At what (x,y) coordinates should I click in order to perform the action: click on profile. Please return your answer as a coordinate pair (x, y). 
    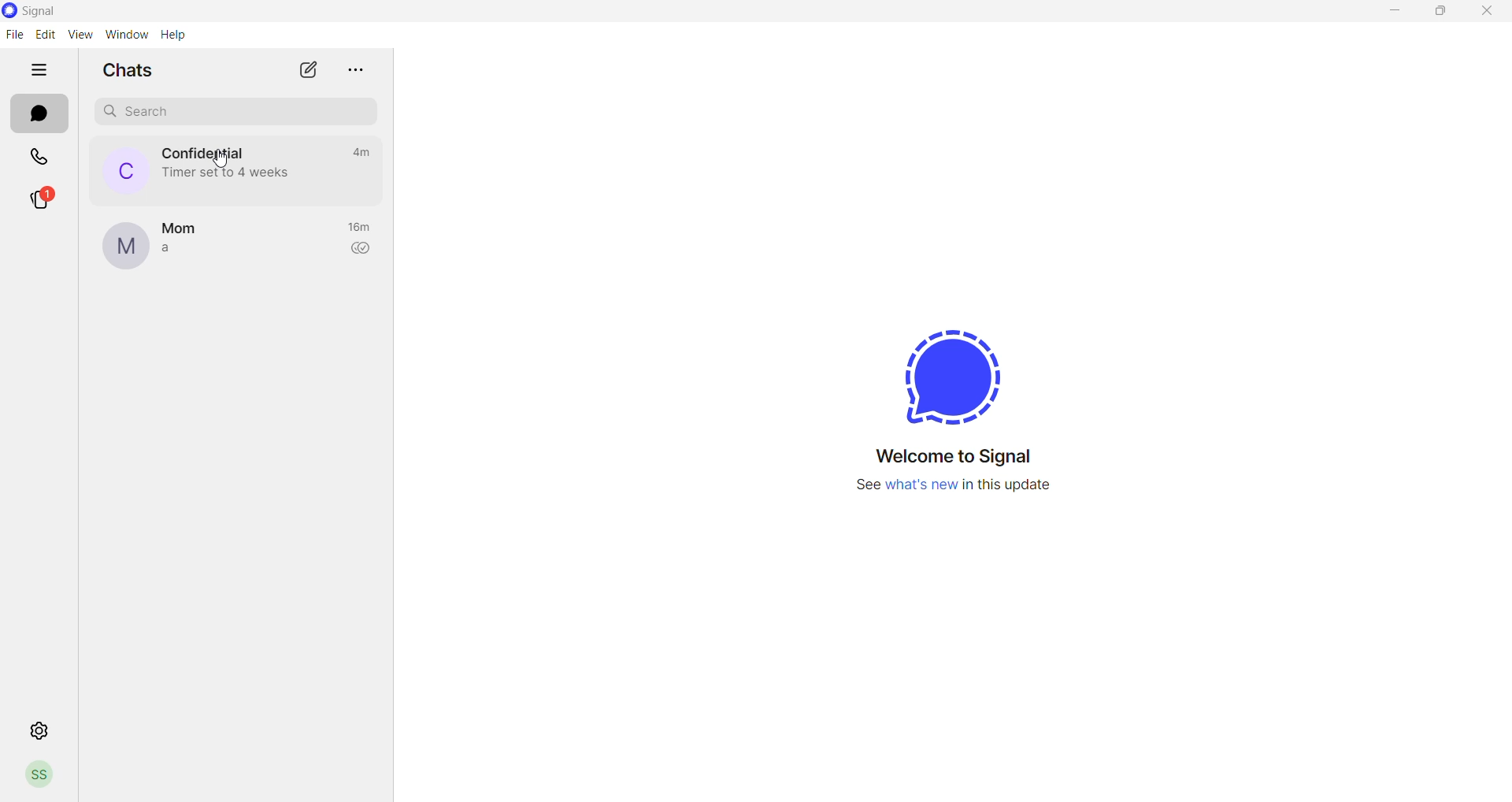
    Looking at the image, I should click on (46, 776).